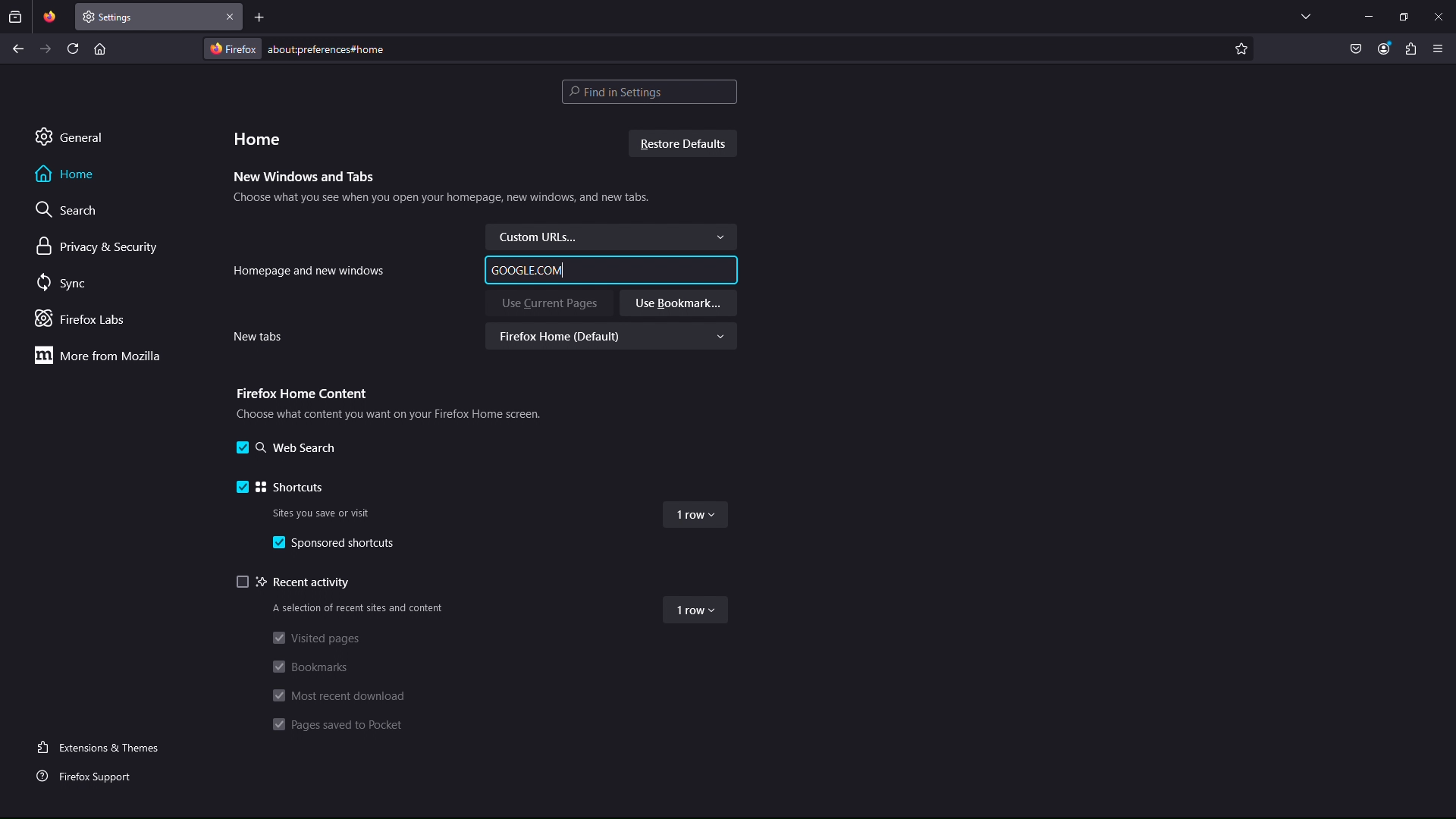  Describe the element at coordinates (260, 17) in the screenshot. I see `Add new tab` at that location.